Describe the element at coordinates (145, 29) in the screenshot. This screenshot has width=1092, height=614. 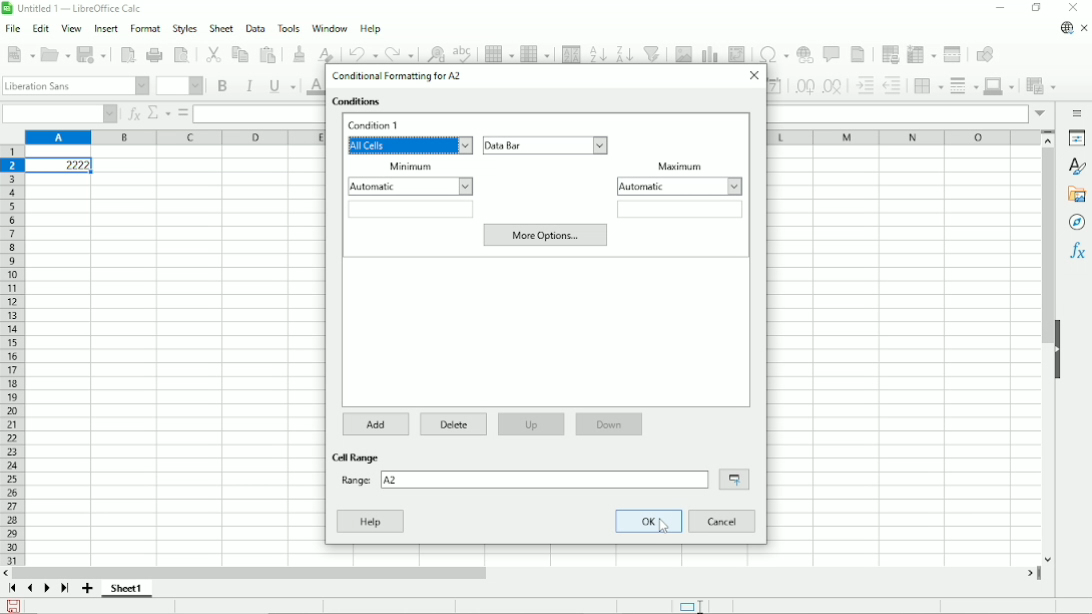
I see `Format` at that location.